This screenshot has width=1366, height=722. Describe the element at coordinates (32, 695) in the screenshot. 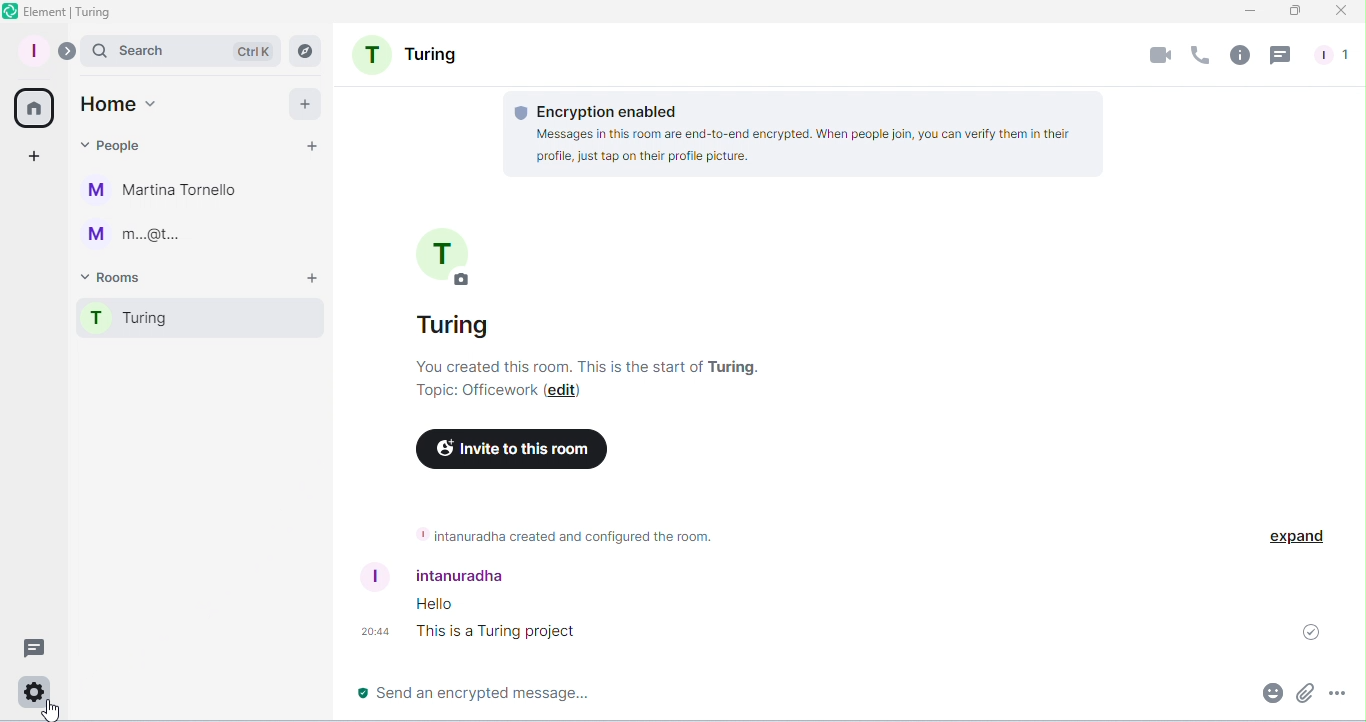

I see `Quick settings` at that location.